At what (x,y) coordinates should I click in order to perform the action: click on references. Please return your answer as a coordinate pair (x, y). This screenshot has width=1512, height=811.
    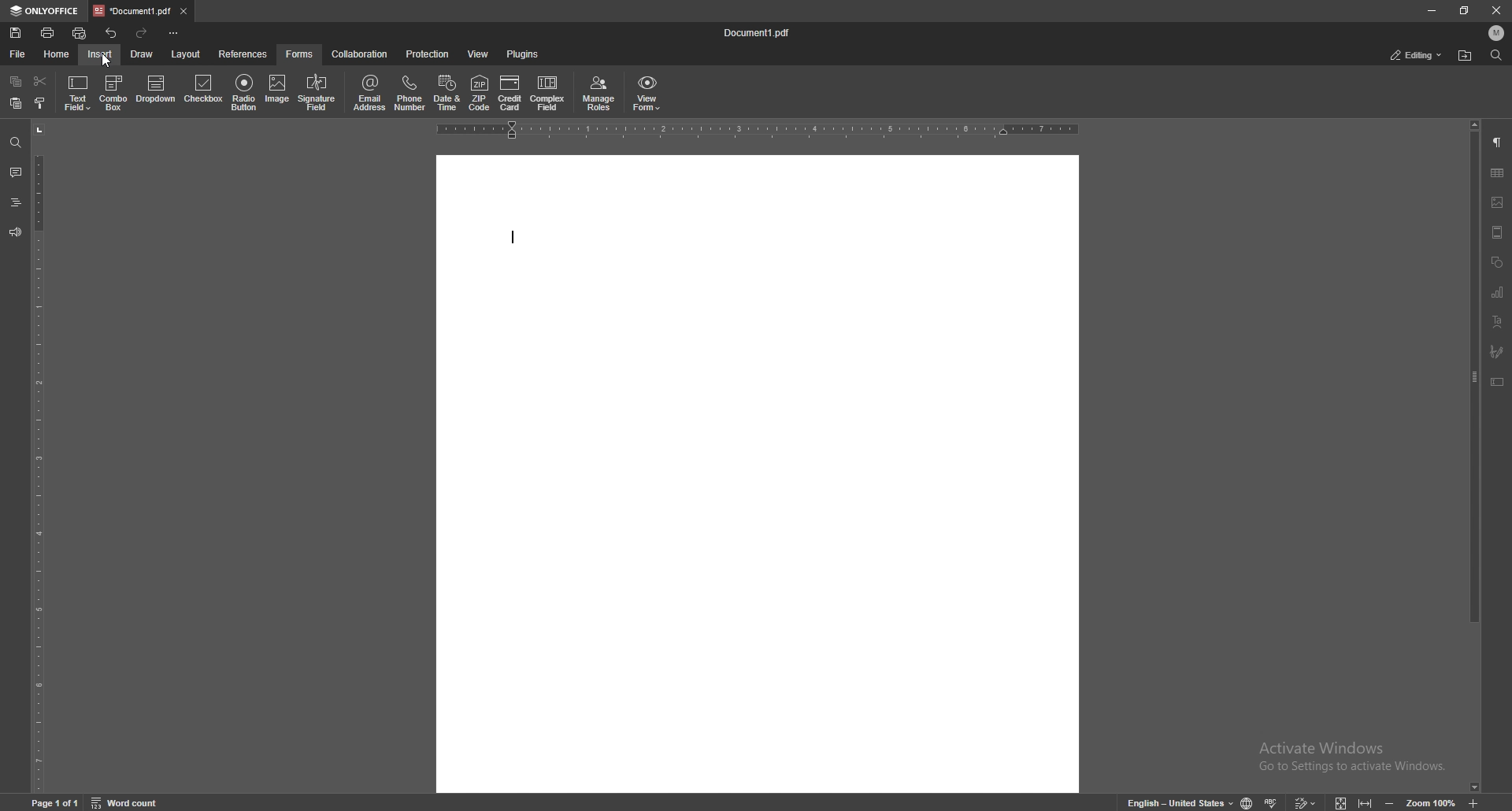
    Looking at the image, I should click on (243, 54).